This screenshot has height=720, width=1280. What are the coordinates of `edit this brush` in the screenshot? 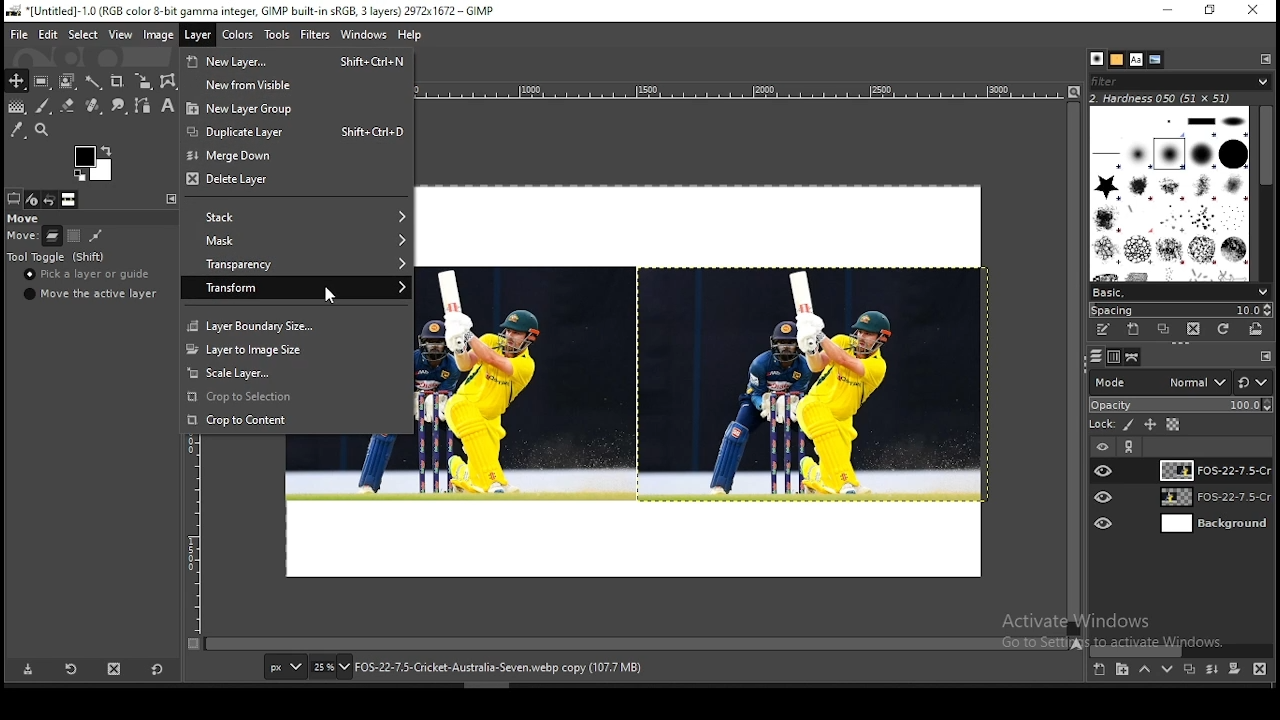 It's located at (1103, 329).